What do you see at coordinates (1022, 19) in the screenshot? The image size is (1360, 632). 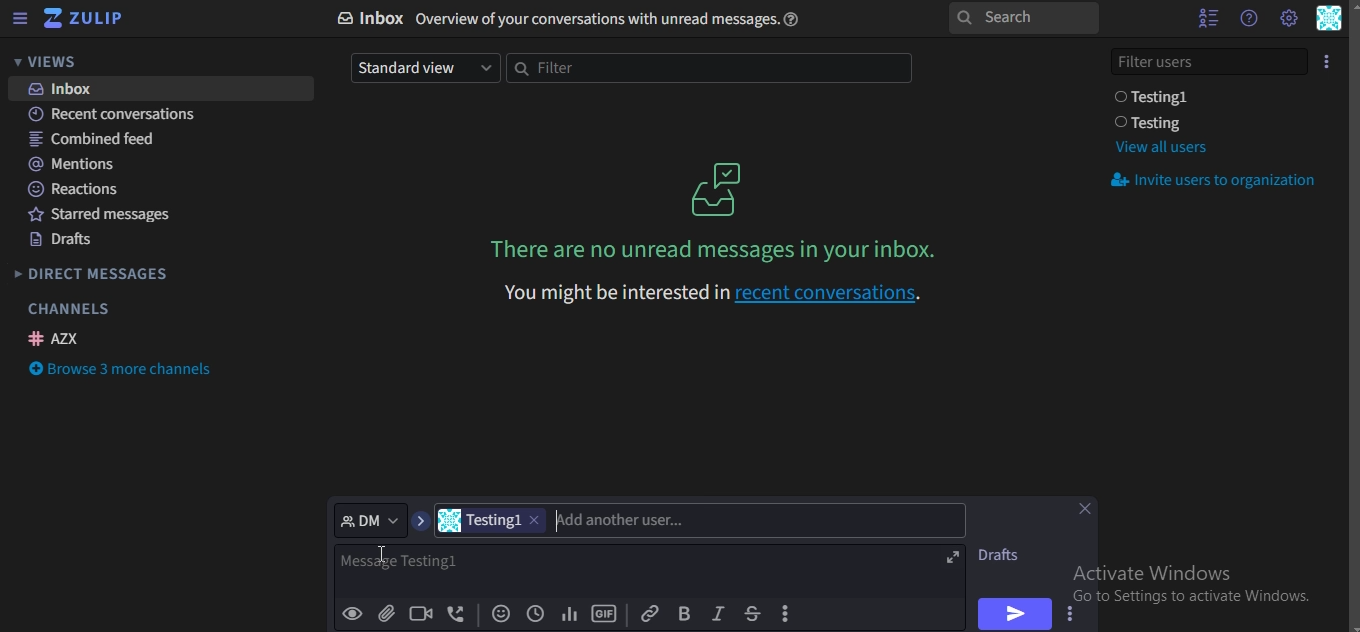 I see `search` at bounding box center [1022, 19].